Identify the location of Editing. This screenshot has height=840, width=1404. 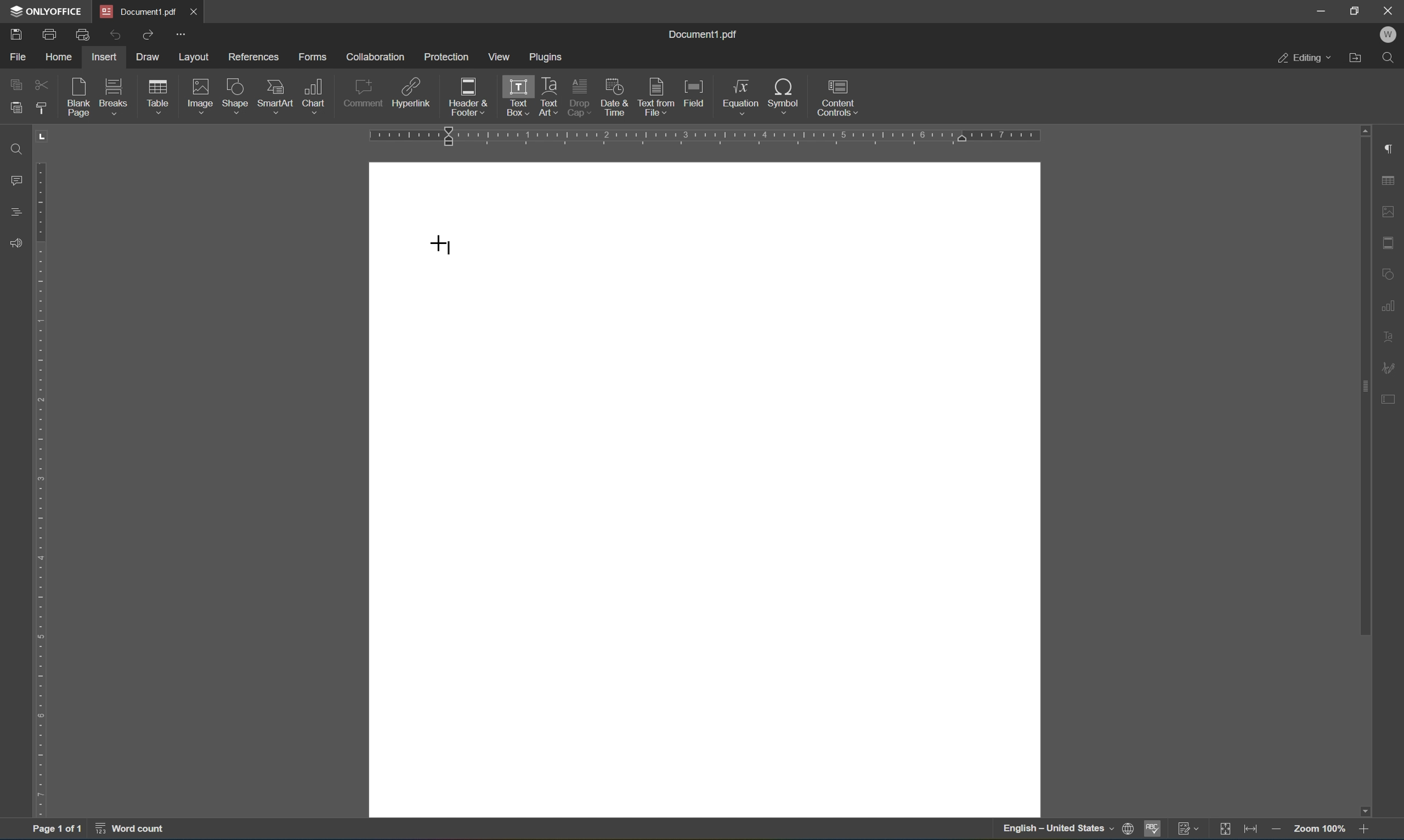
(1304, 59).